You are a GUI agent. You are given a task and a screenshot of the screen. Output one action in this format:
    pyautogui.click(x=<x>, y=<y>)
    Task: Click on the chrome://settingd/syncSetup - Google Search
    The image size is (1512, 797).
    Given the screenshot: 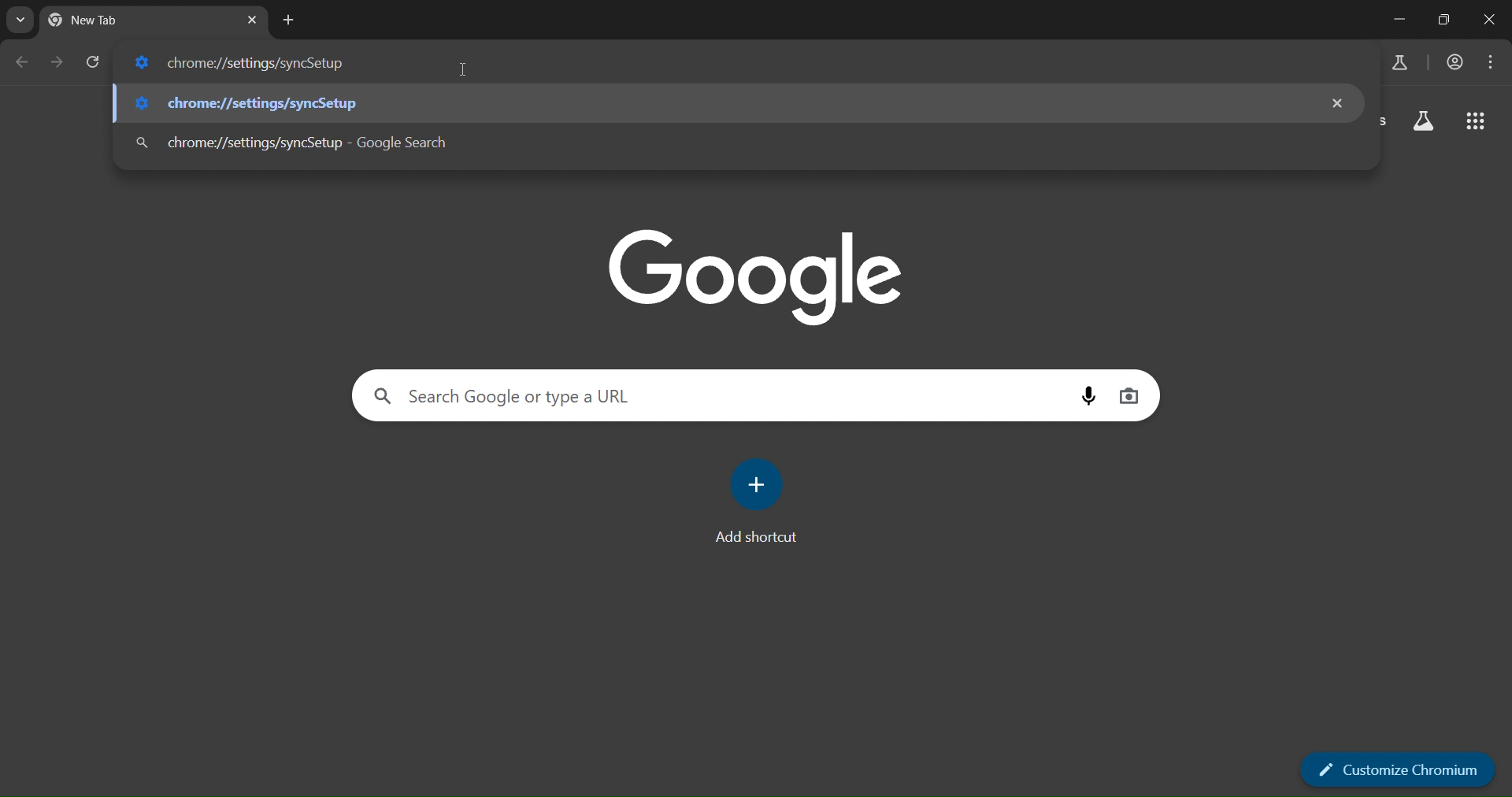 What is the action you would take?
    pyautogui.click(x=722, y=142)
    